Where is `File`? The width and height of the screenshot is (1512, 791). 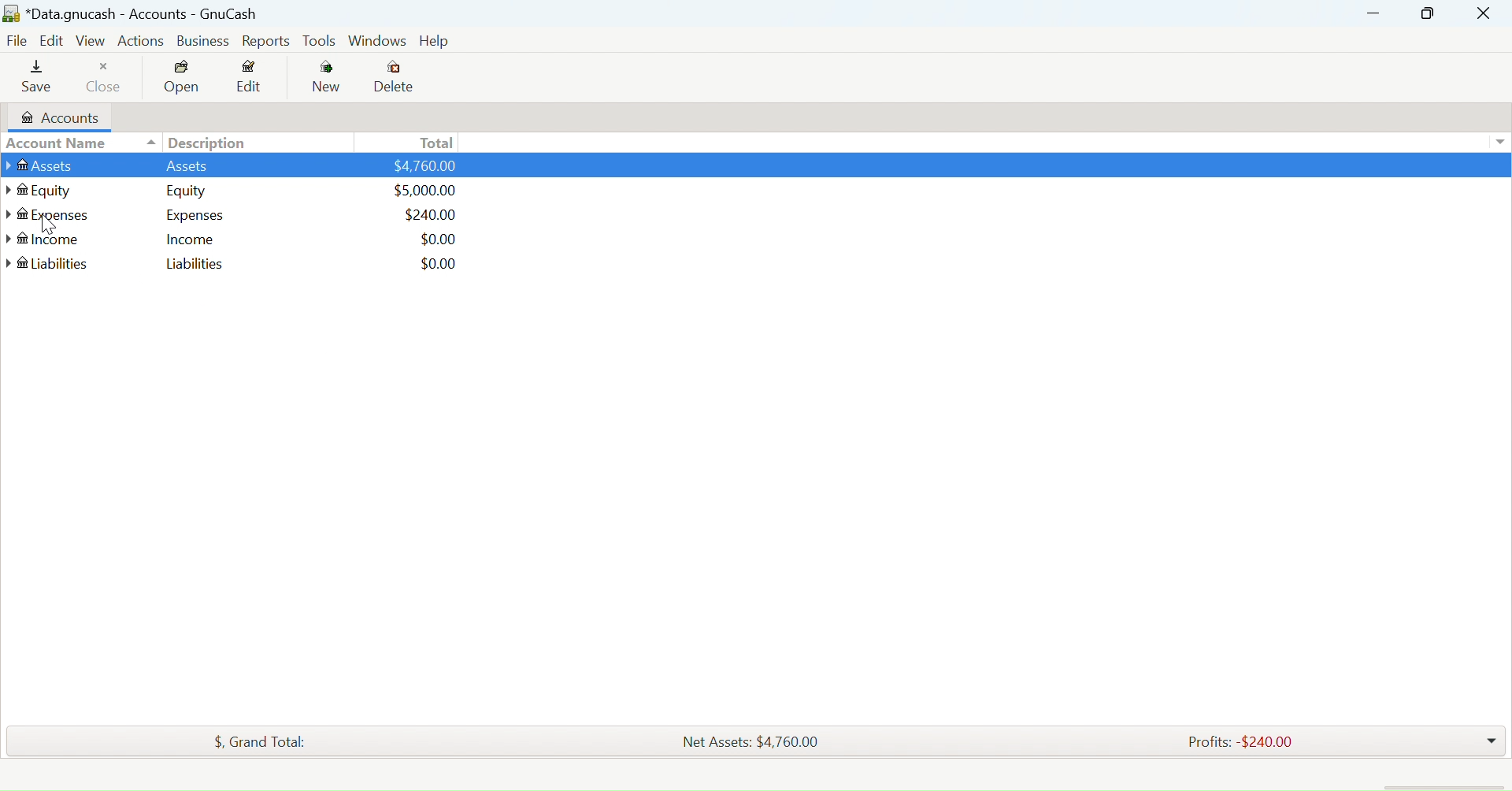 File is located at coordinates (16, 43).